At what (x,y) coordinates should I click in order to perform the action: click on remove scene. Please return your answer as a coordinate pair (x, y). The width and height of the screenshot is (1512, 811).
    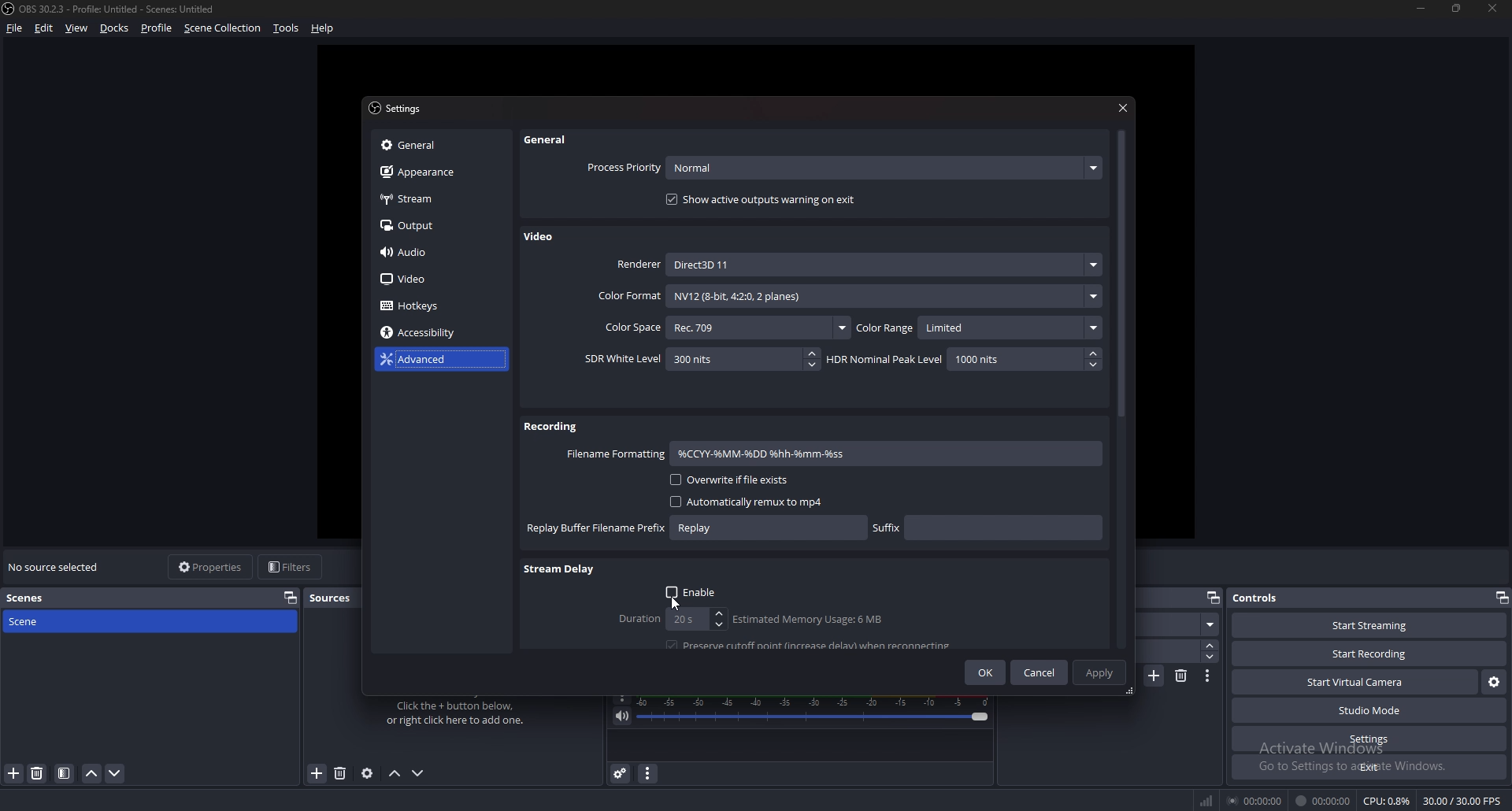
    Looking at the image, I should click on (1182, 676).